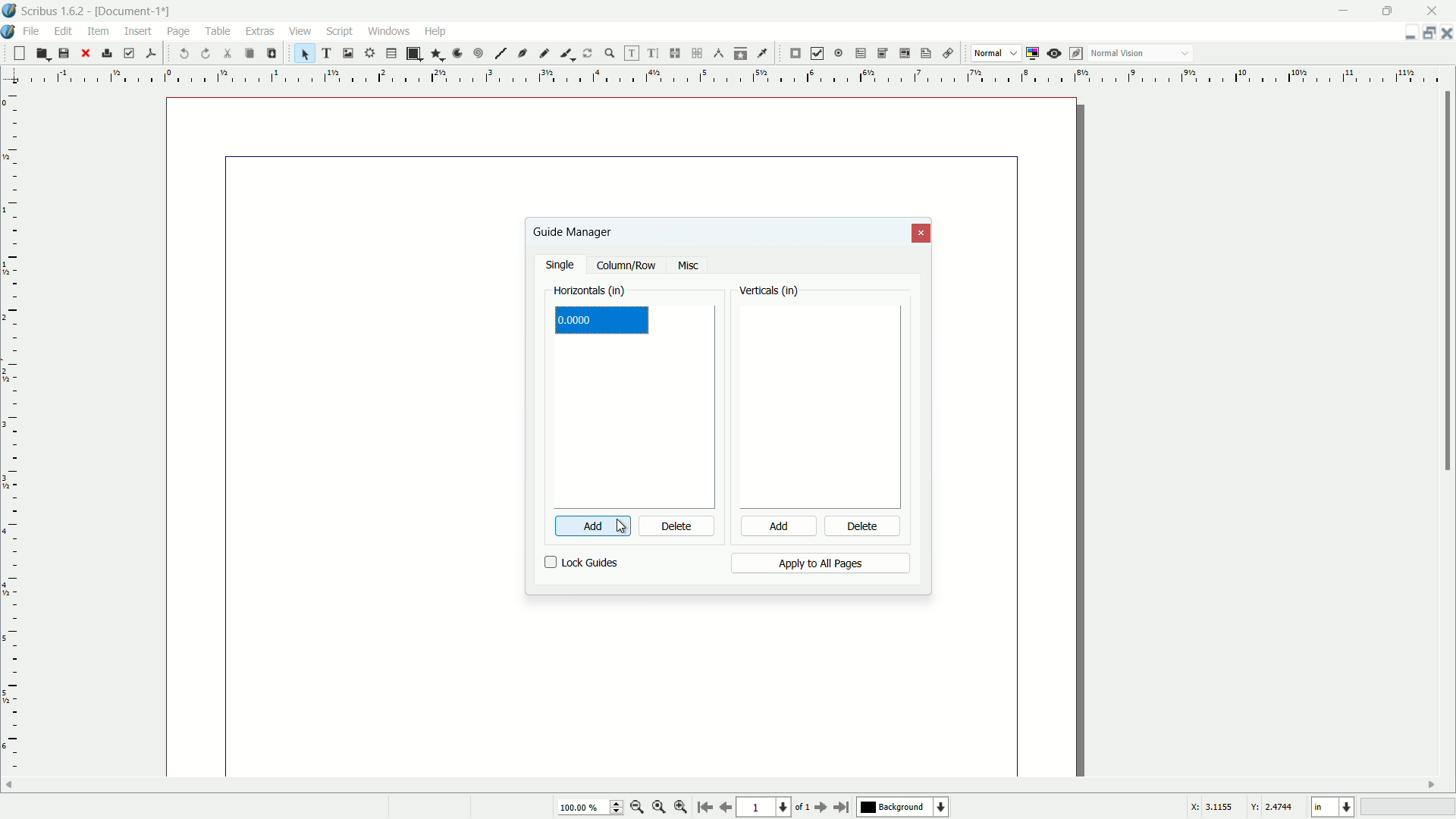  I want to click on single, so click(562, 266).